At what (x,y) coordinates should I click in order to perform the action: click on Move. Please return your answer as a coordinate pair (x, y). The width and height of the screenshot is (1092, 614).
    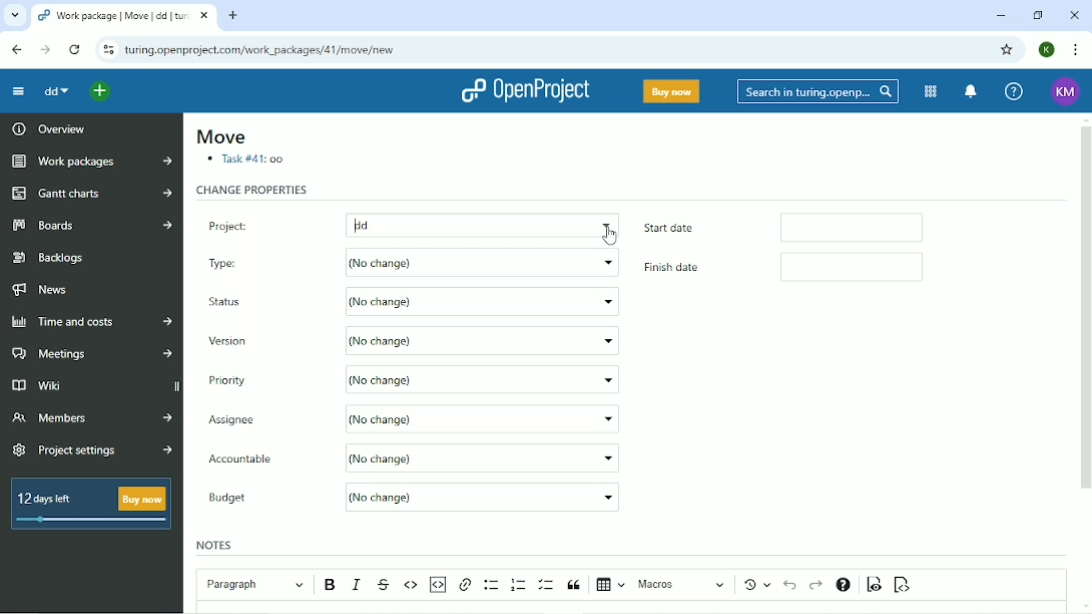
    Looking at the image, I should click on (220, 137).